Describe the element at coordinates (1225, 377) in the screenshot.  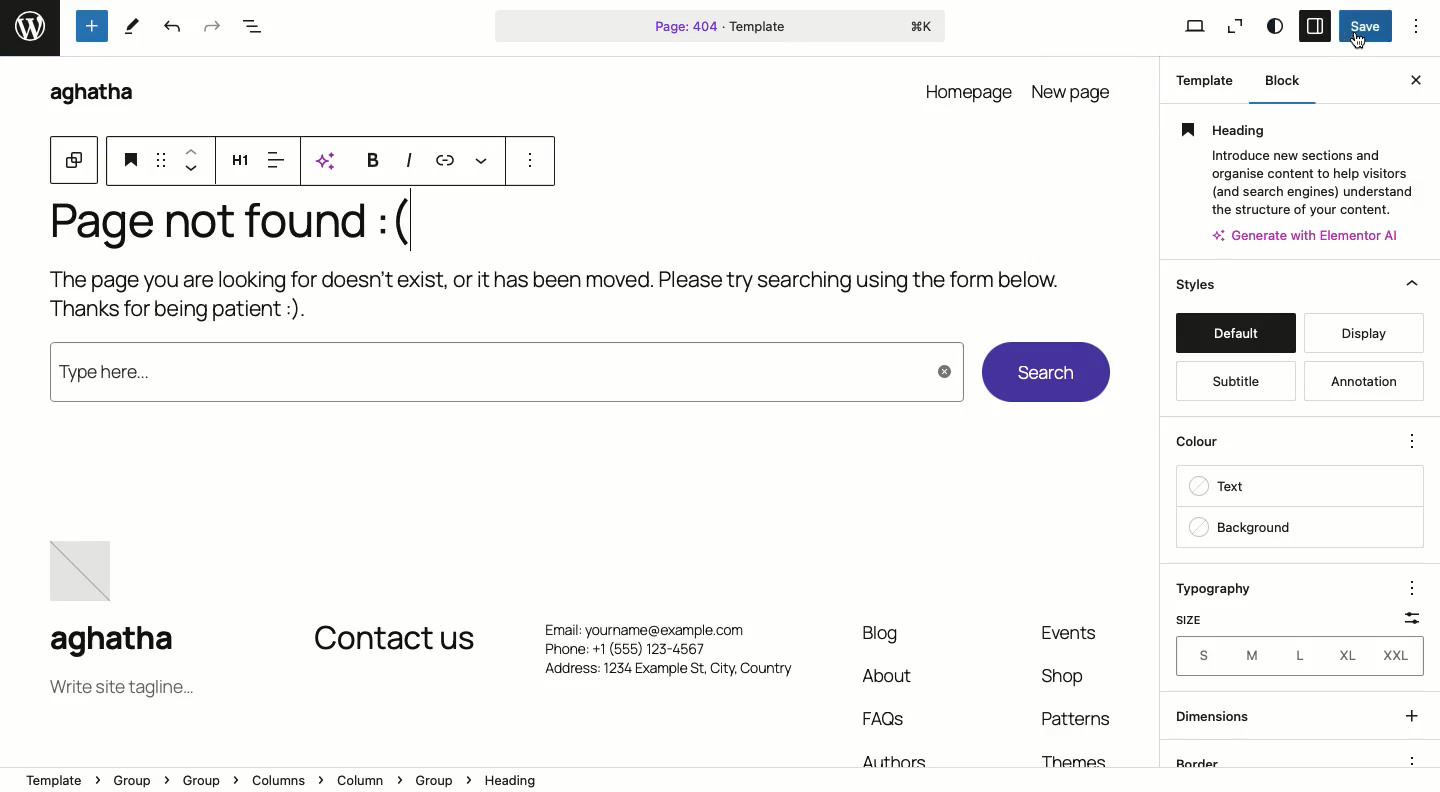
I see `subtitle` at that location.